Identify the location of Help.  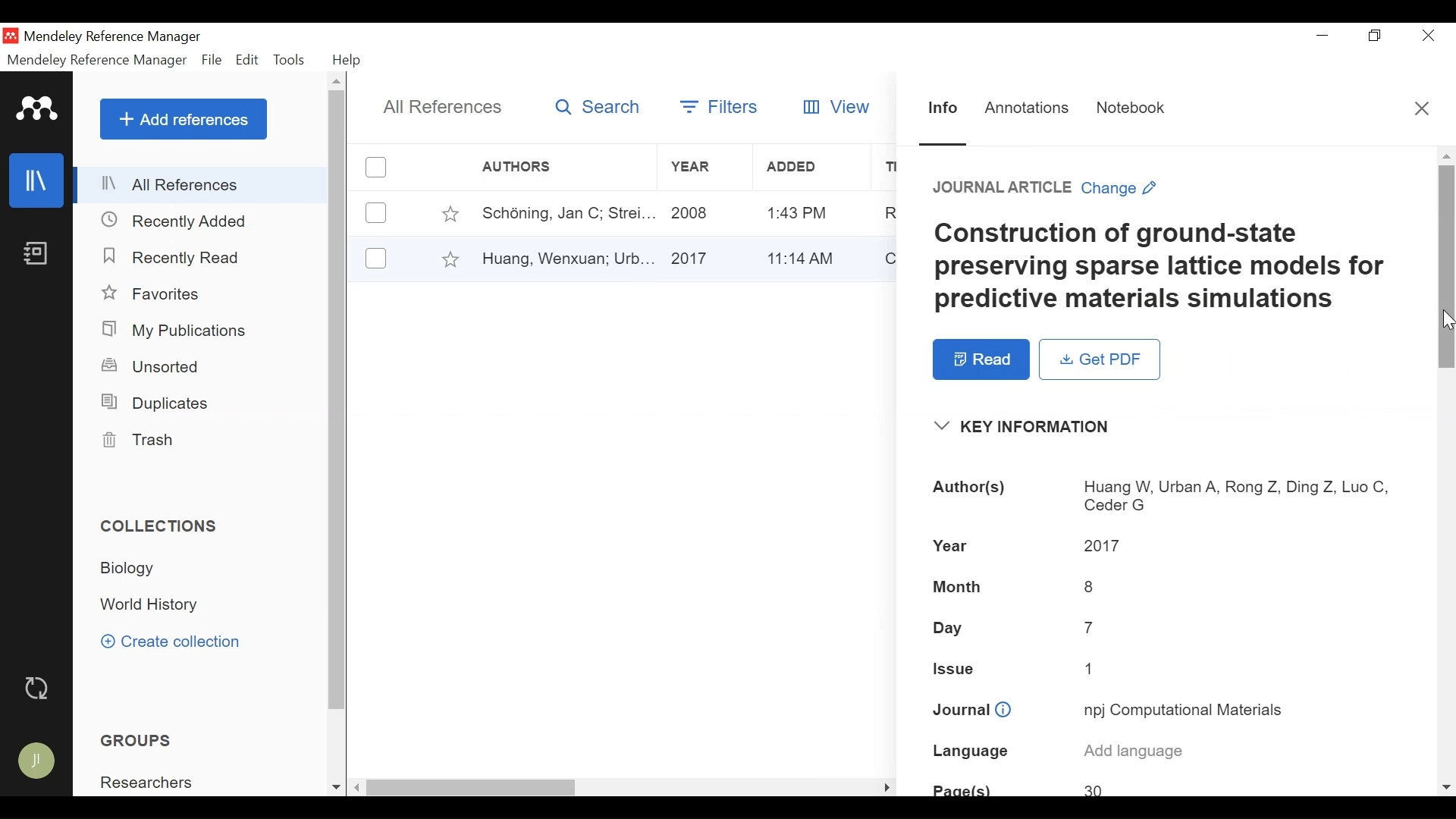
(348, 61).